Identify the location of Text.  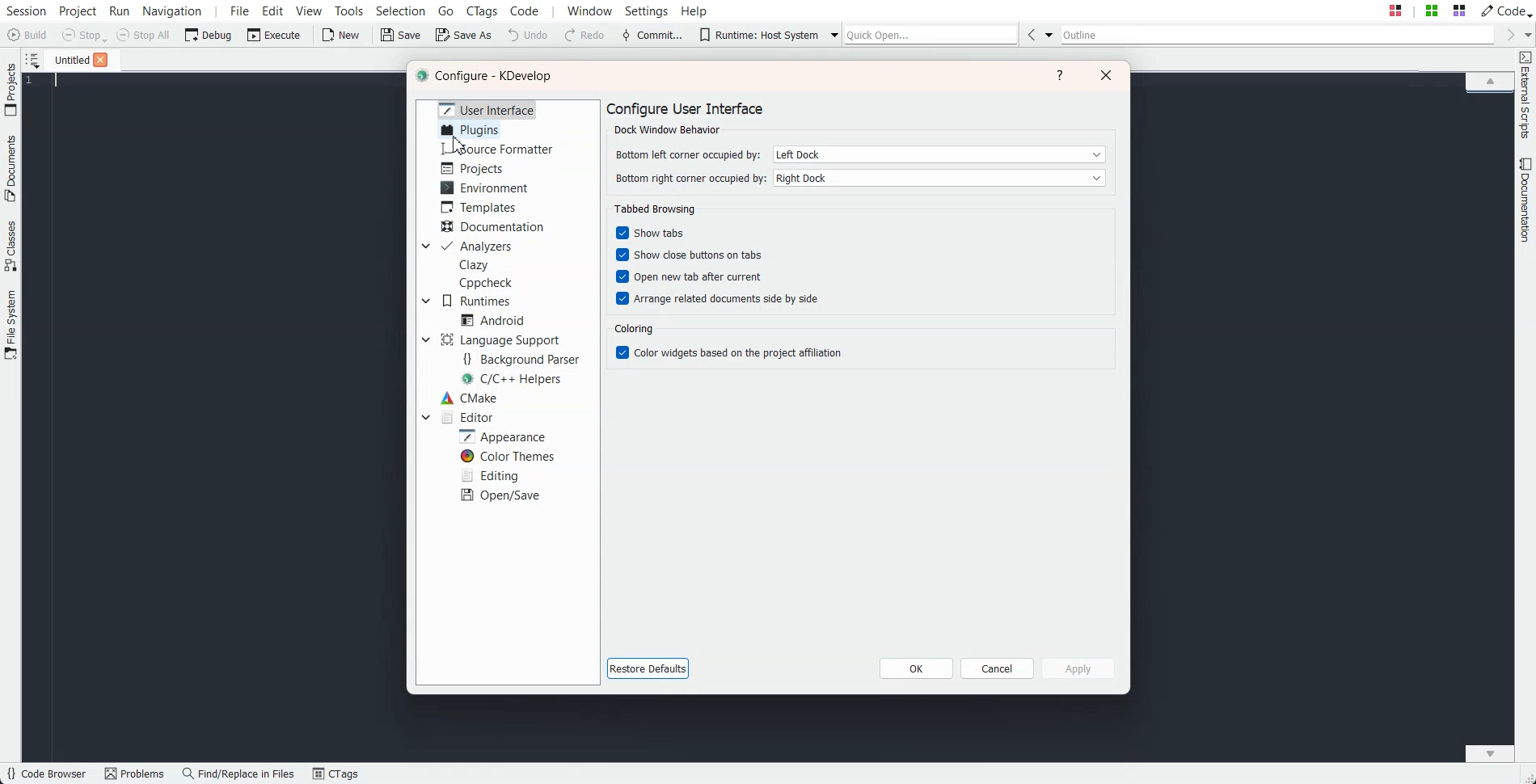
(487, 77).